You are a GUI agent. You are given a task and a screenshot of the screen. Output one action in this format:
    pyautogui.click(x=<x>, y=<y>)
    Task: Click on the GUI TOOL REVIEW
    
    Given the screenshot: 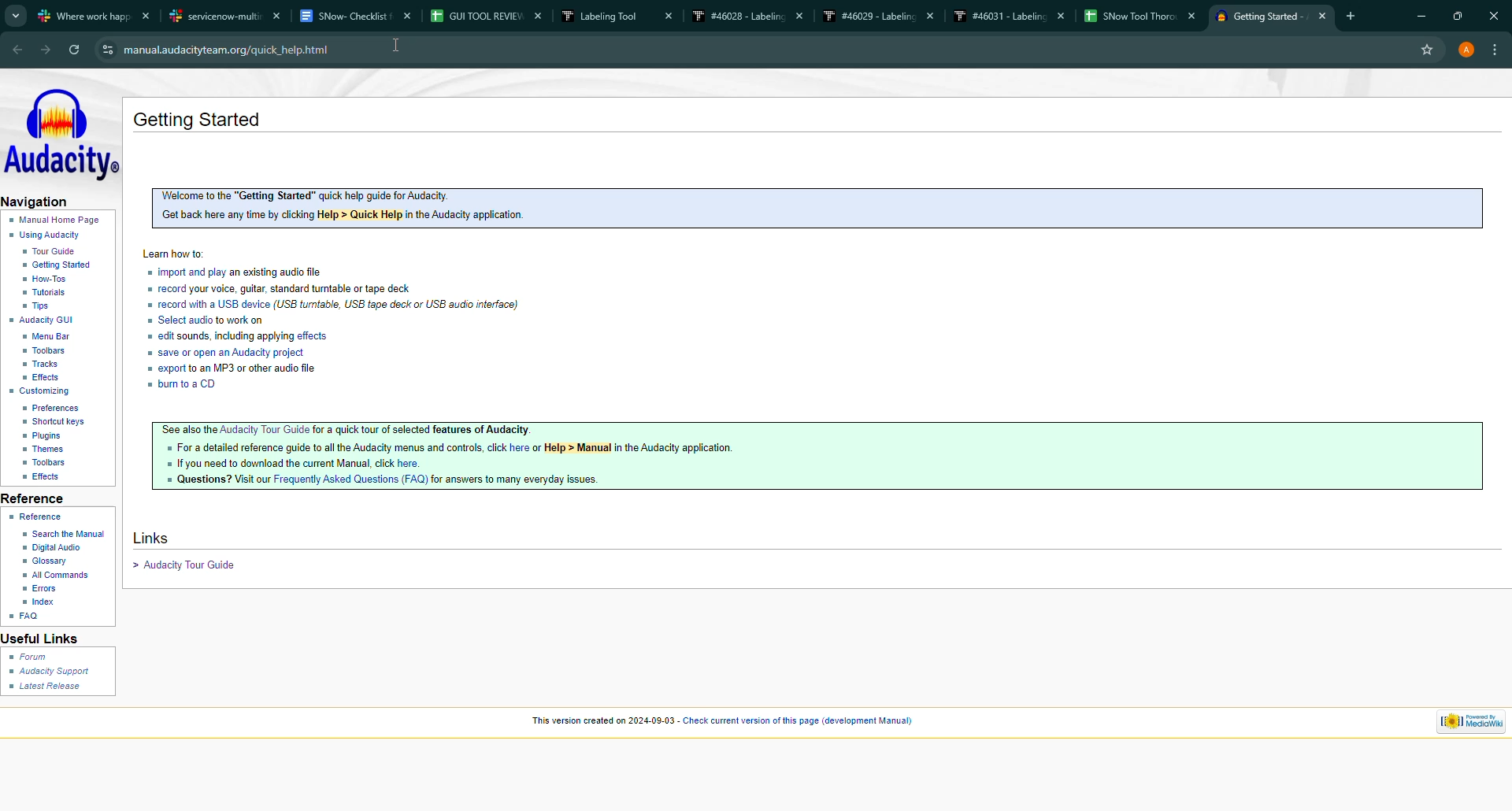 What is the action you would take?
    pyautogui.click(x=485, y=17)
    